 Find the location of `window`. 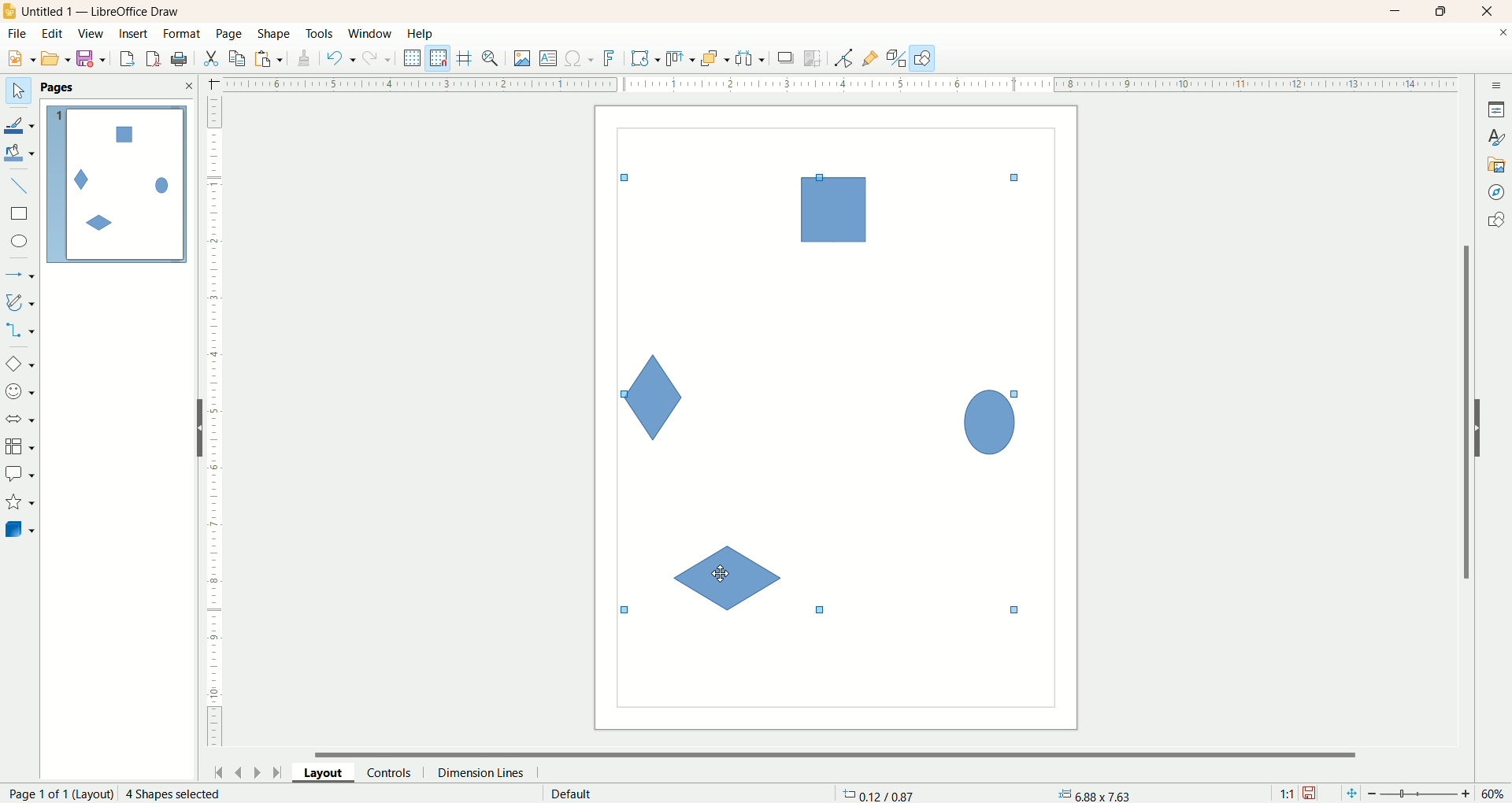

window is located at coordinates (374, 35).